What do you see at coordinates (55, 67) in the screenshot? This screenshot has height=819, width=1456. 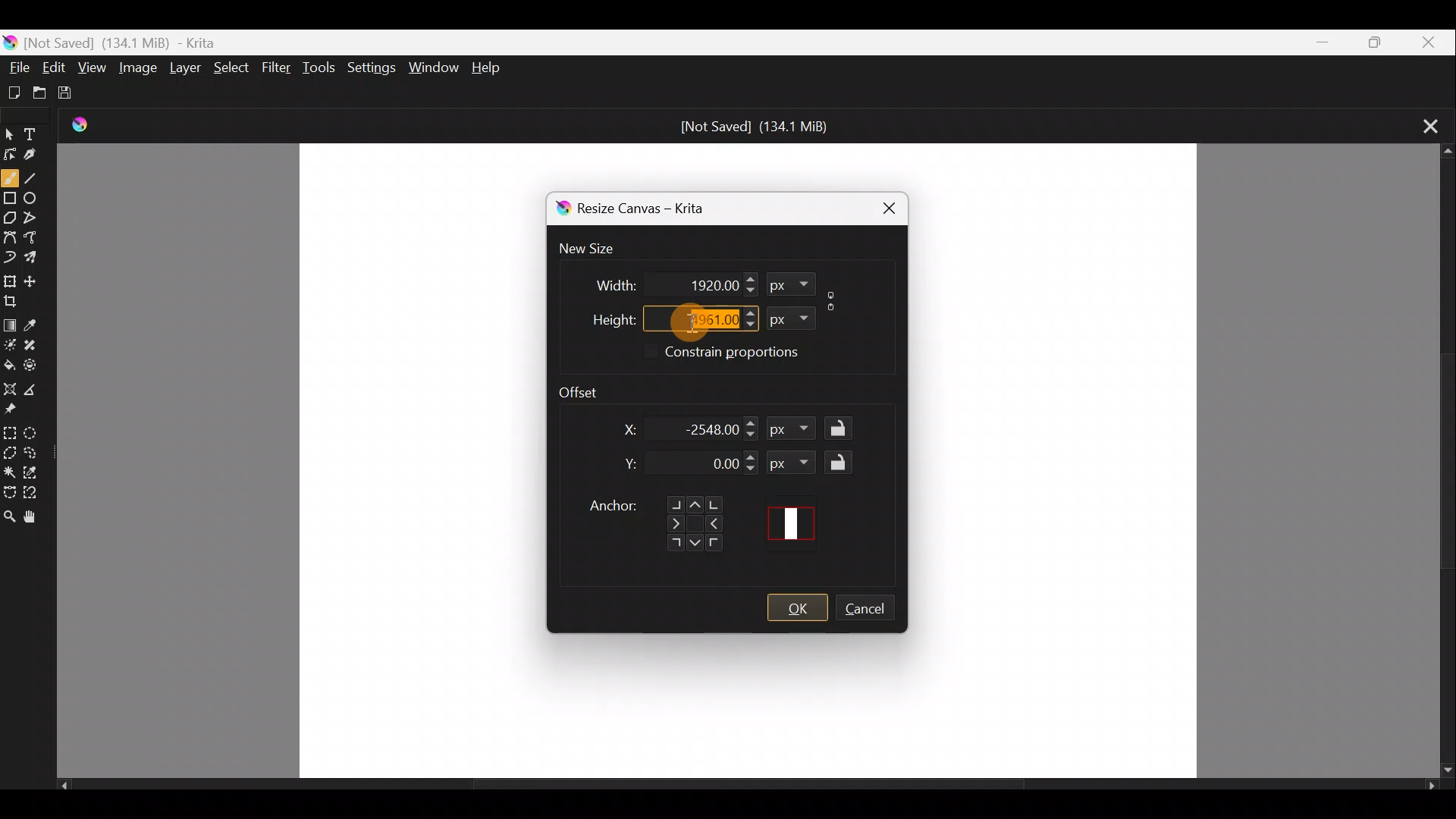 I see `Edit` at bounding box center [55, 67].